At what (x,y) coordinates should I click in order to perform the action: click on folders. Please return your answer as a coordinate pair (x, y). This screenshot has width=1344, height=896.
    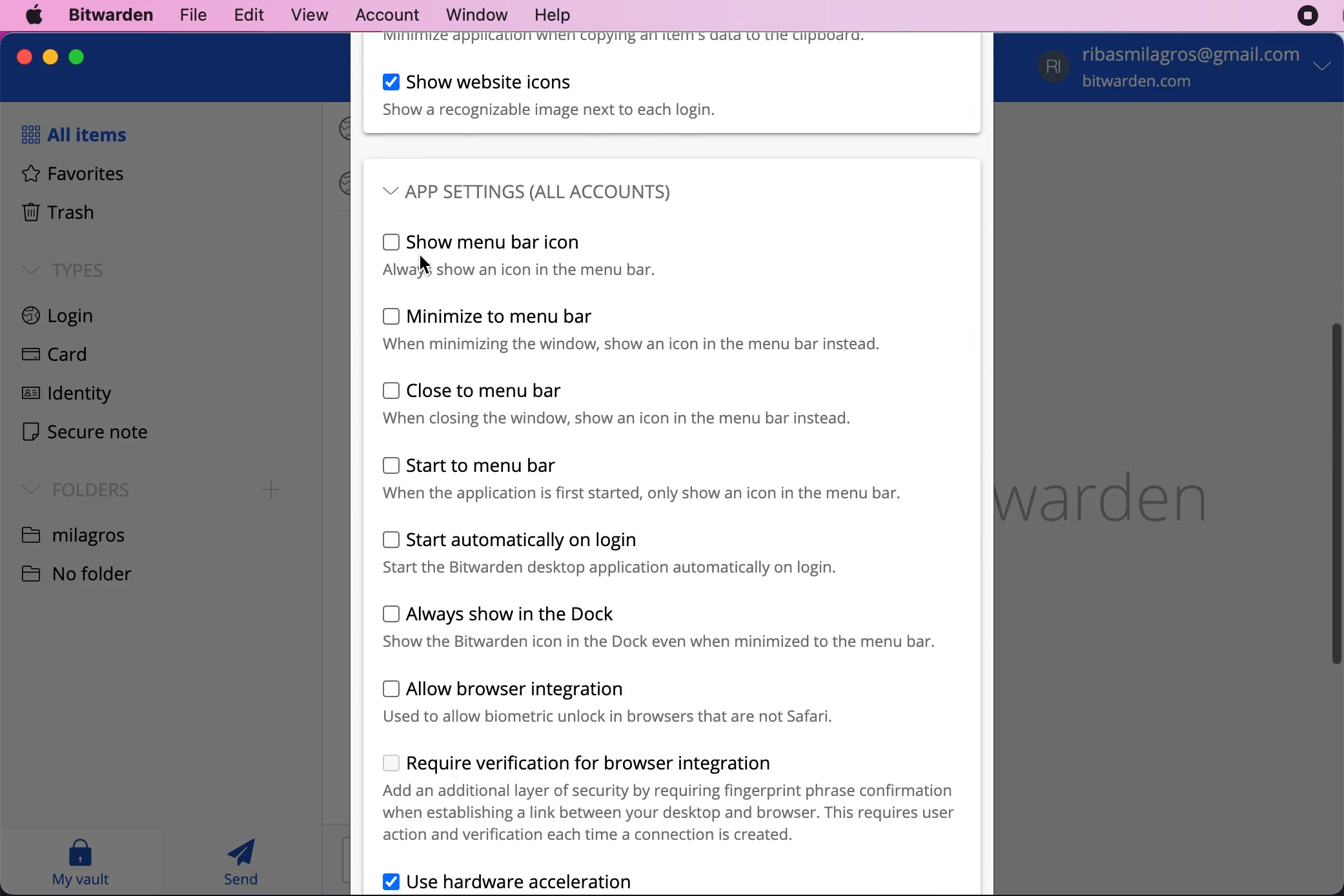
    Looking at the image, I should click on (72, 488).